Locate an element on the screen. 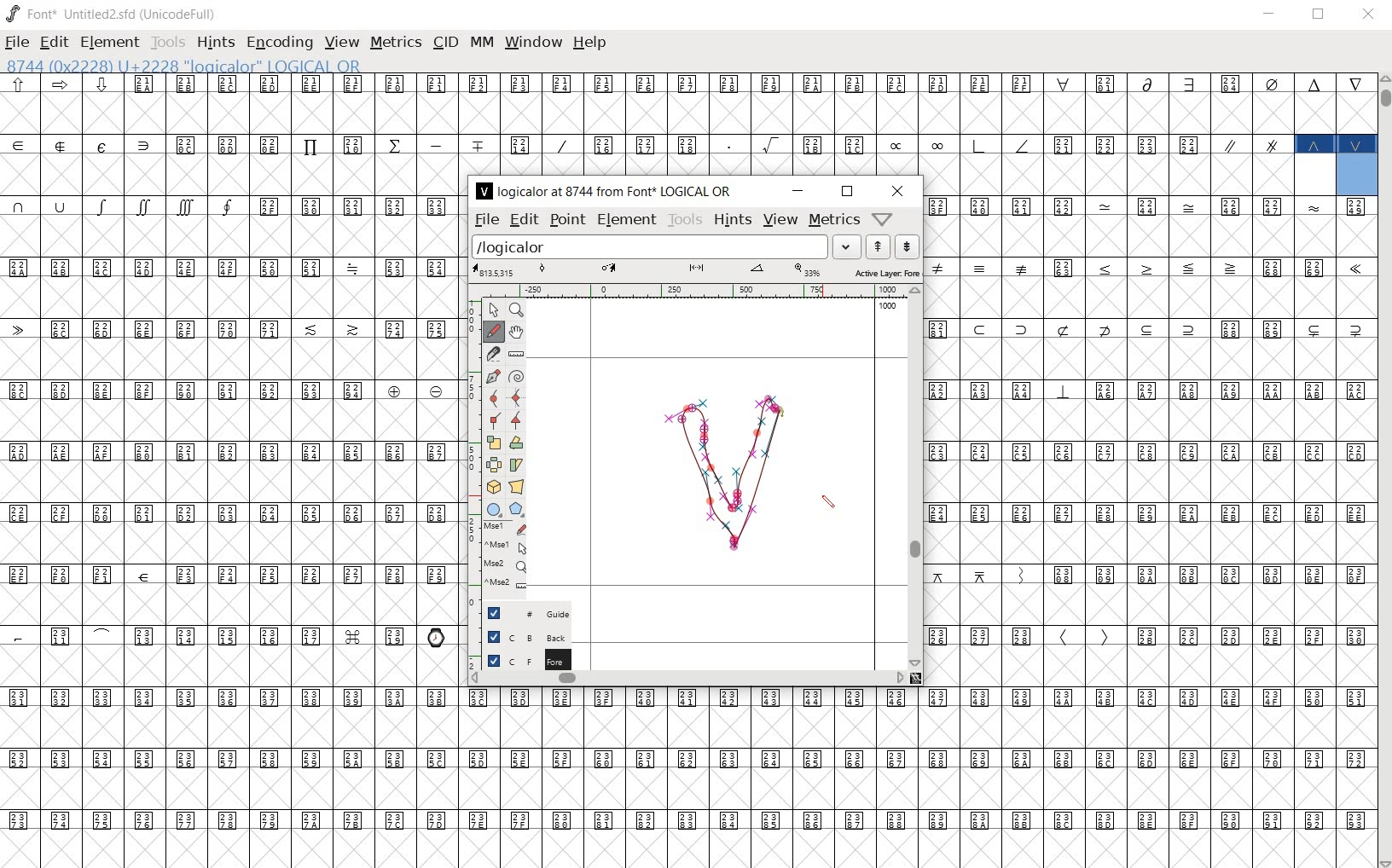 The height and width of the screenshot is (868, 1392). 8744 (0x2228) U+2228 "logicalor" LOGICAL OR is located at coordinates (1350, 175).